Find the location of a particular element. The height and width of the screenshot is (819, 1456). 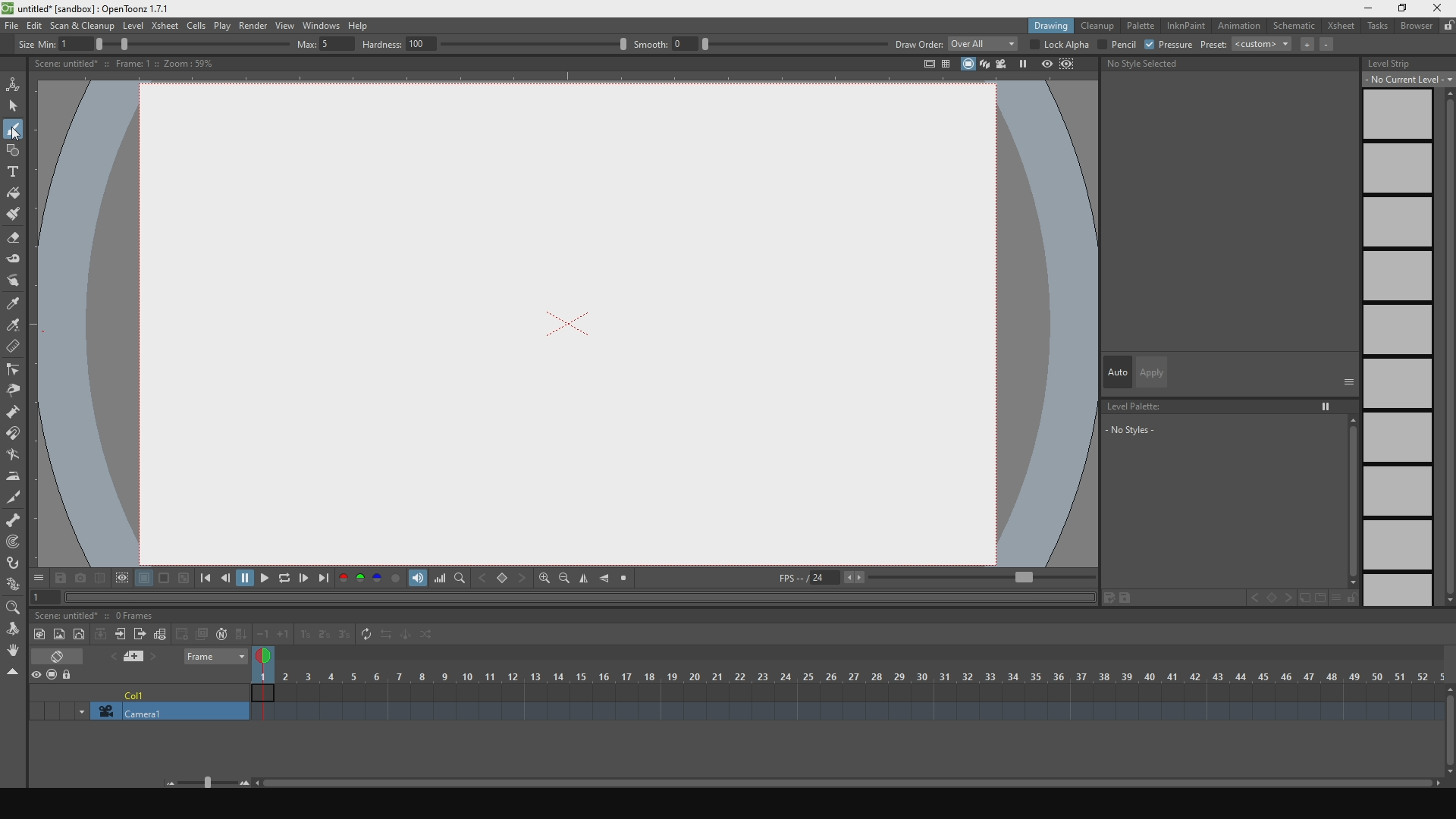

preview is located at coordinates (38, 674).